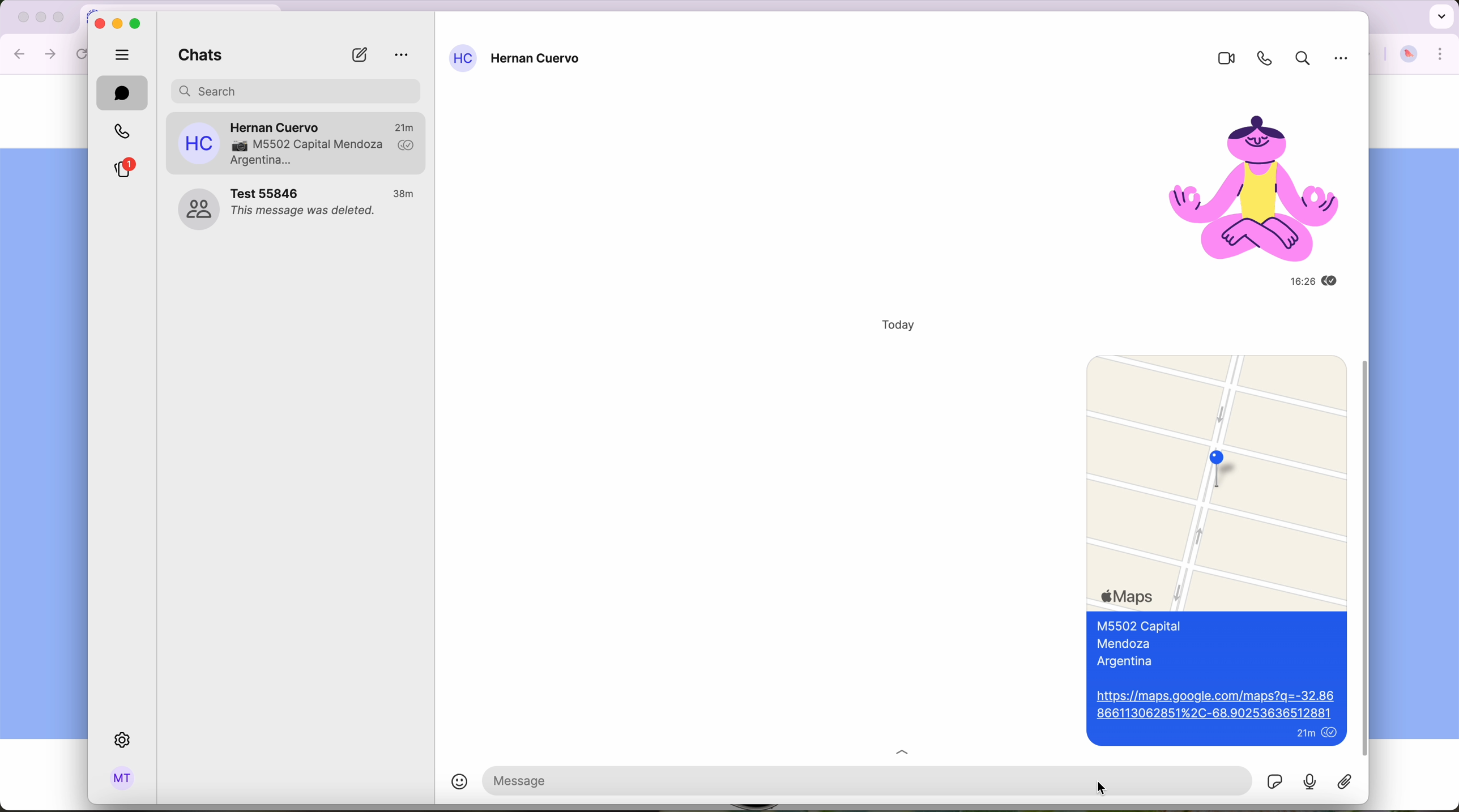  I want to click on options, so click(402, 55).